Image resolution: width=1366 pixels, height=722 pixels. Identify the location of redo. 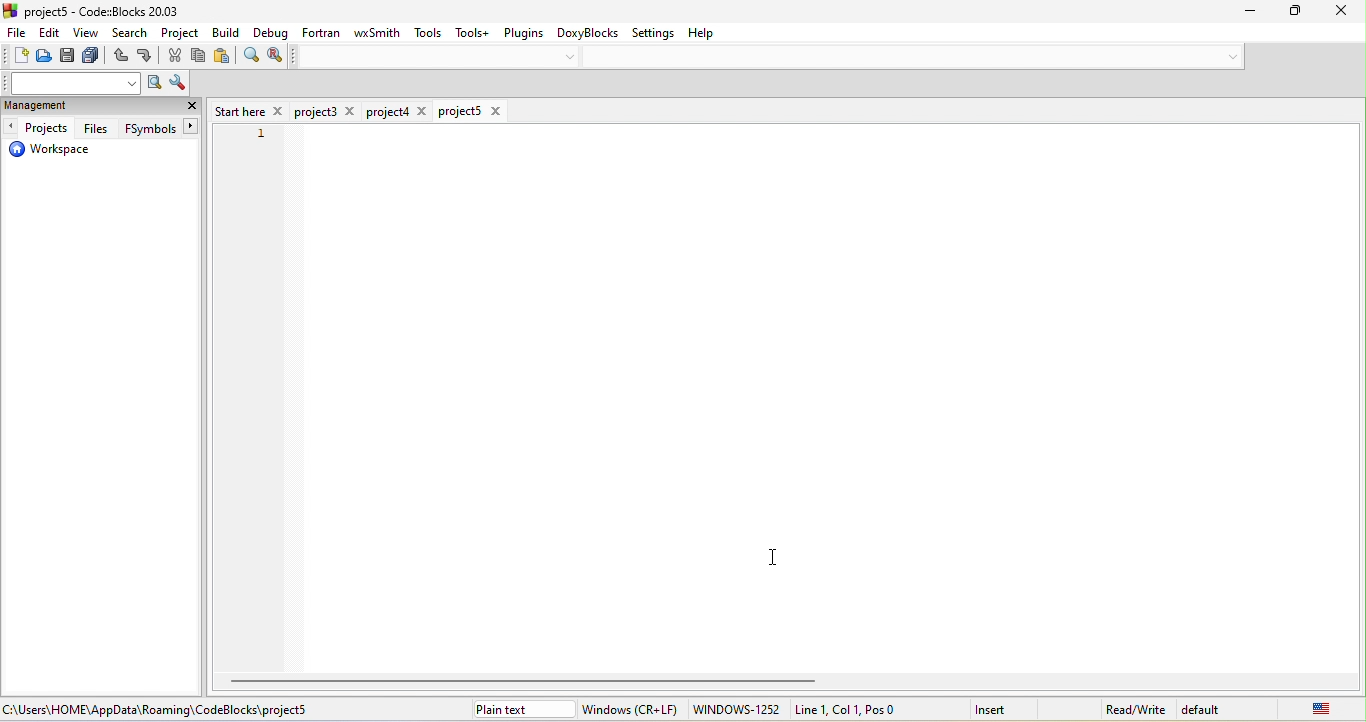
(147, 58).